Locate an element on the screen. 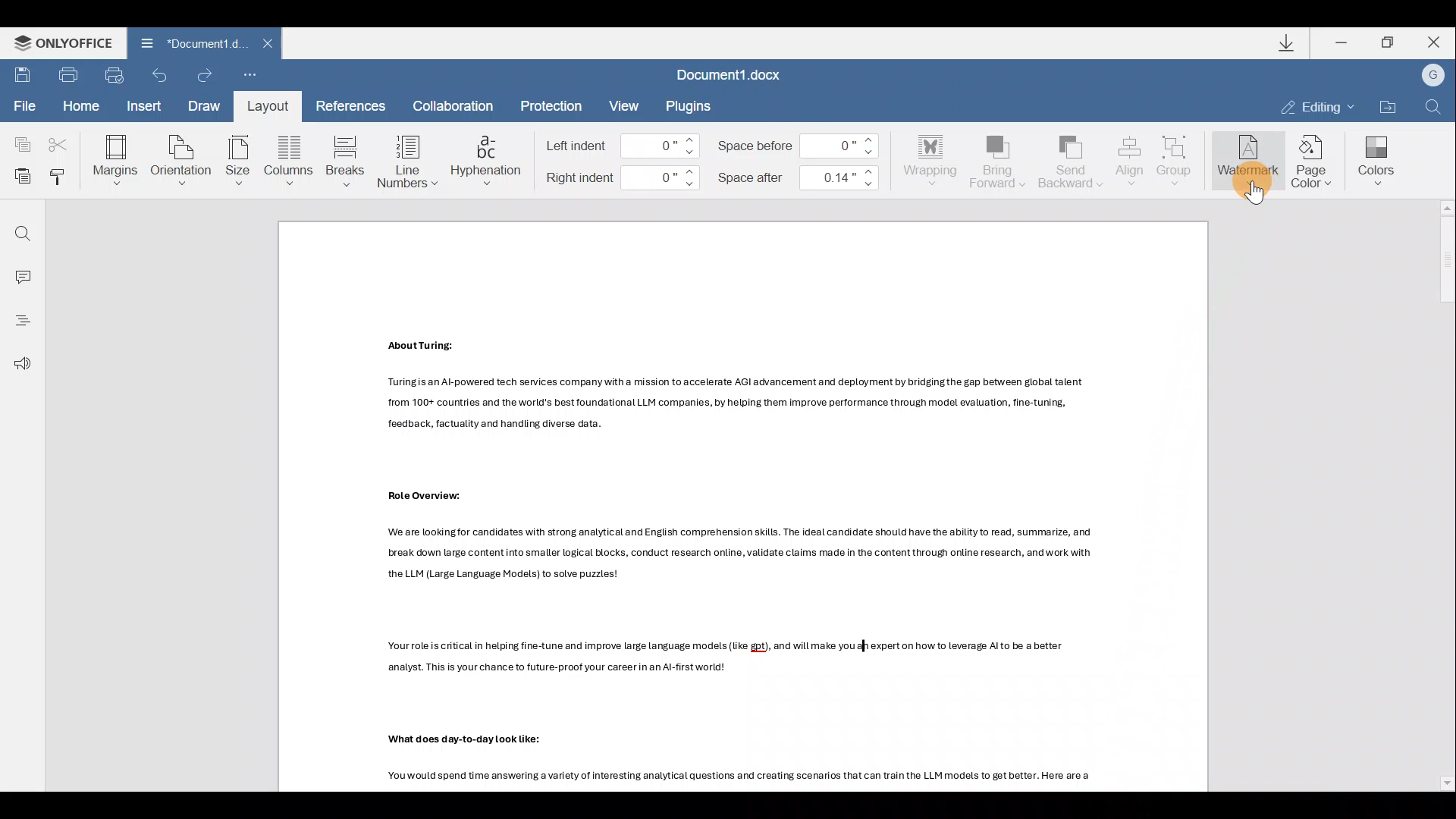 The height and width of the screenshot is (819, 1456). Align is located at coordinates (1130, 162).